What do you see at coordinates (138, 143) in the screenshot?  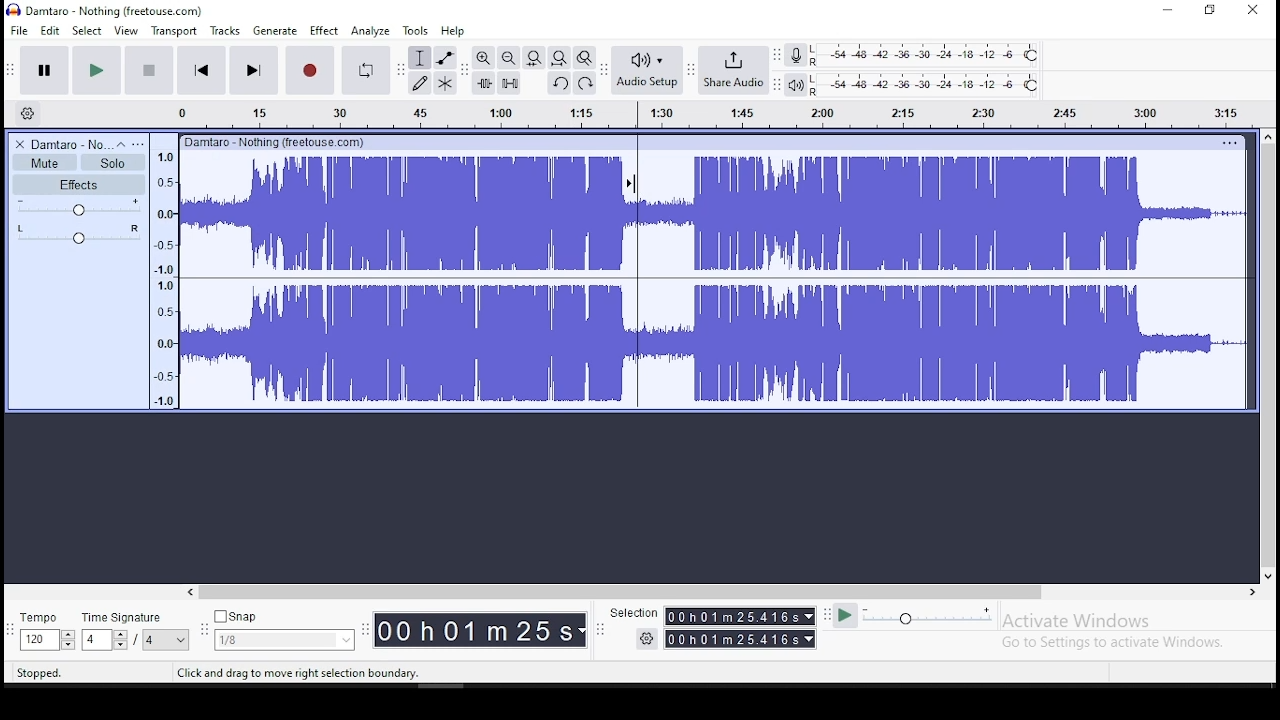 I see `open menu` at bounding box center [138, 143].